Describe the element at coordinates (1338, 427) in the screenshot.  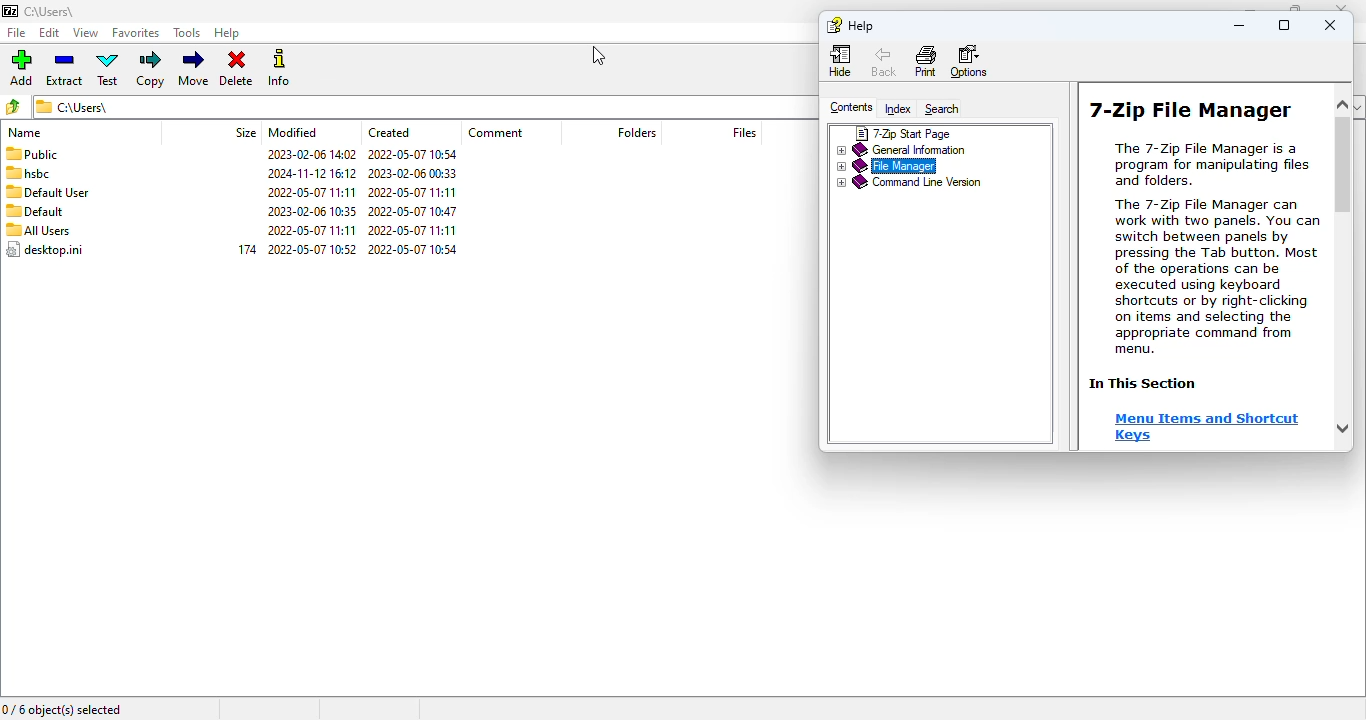
I see `scroll down` at that location.